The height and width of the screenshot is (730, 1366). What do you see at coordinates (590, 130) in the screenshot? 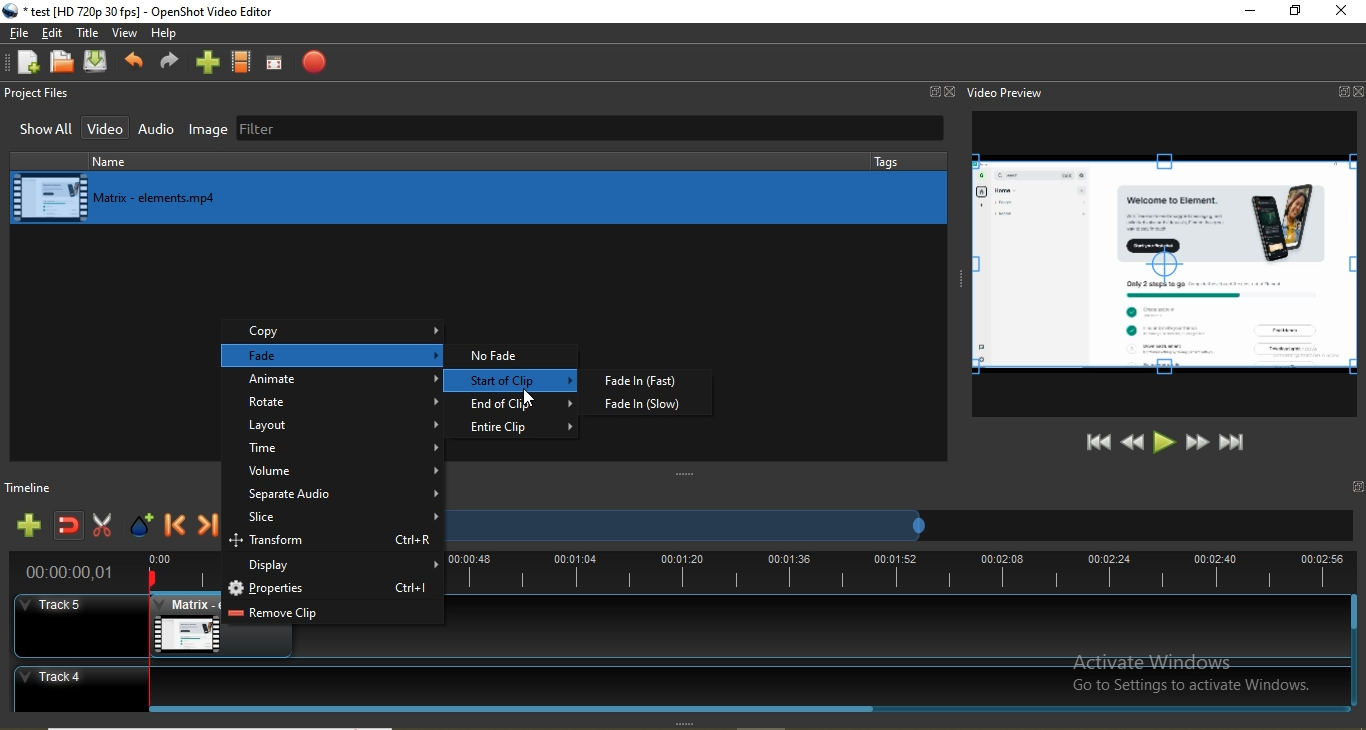
I see `Filter` at bounding box center [590, 130].